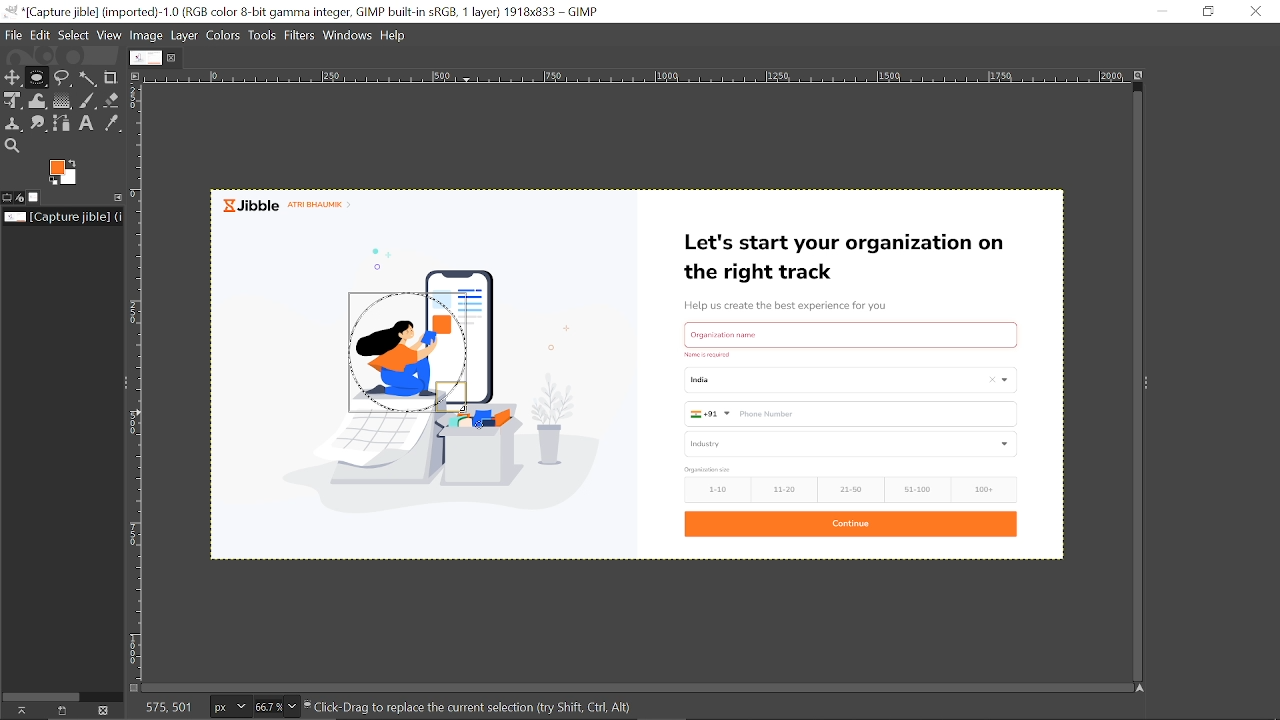 This screenshot has width=1280, height=720. Describe the element at coordinates (1138, 688) in the screenshot. I see `Navigate the image display` at that location.